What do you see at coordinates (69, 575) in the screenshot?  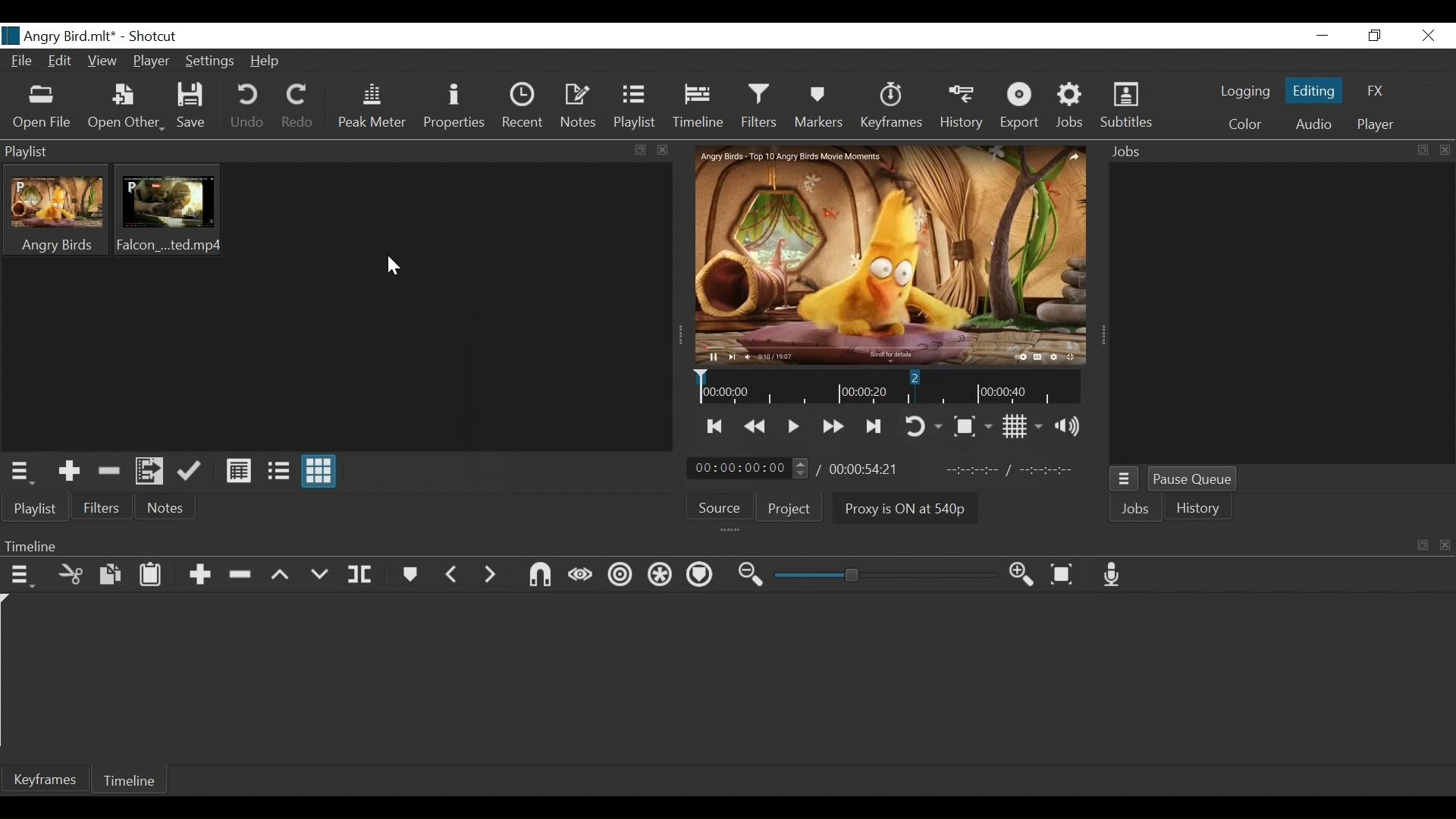 I see `Cut` at bounding box center [69, 575].